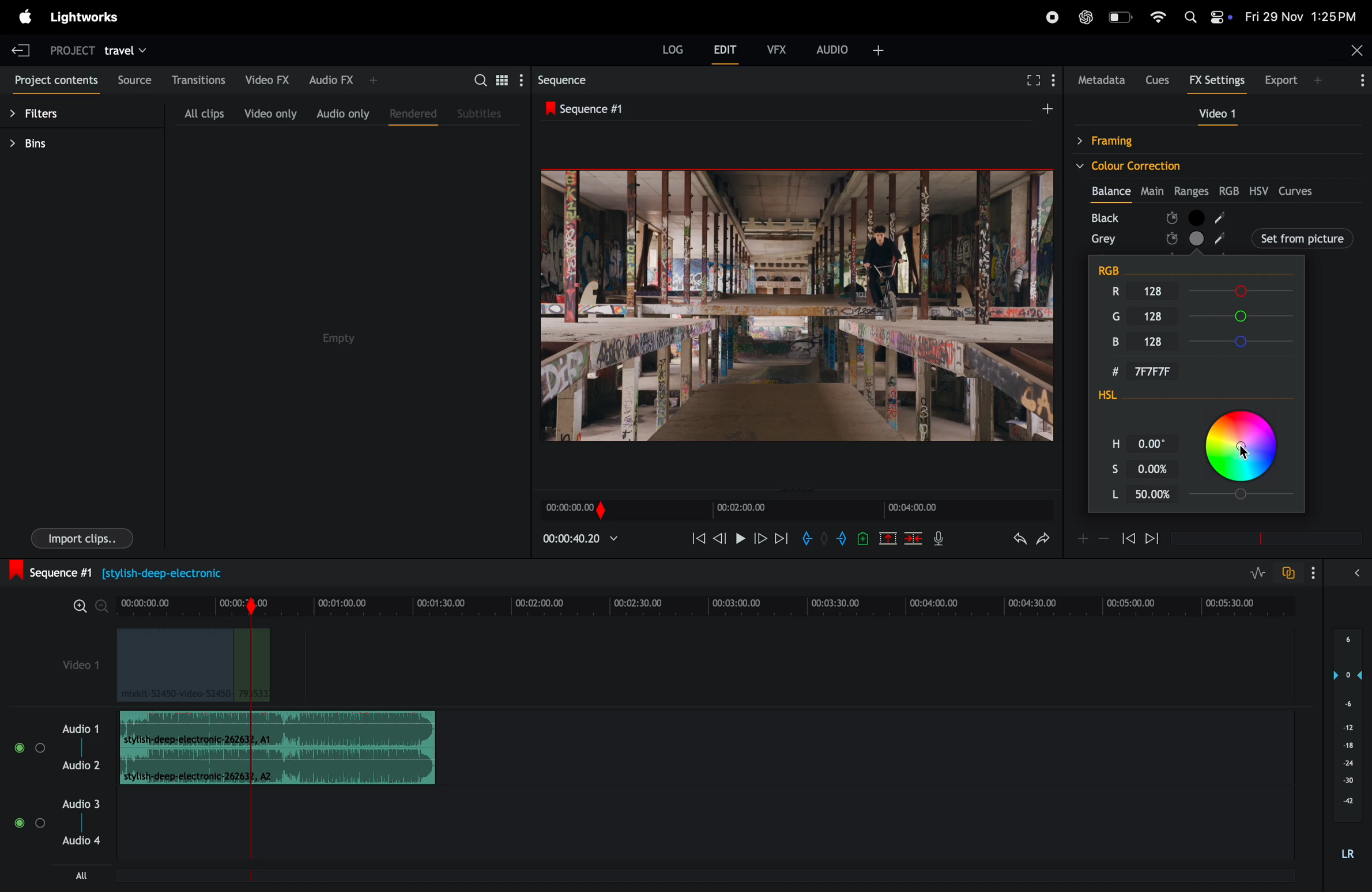 The height and width of the screenshot is (892, 1372). Describe the element at coordinates (1106, 494) in the screenshot. I see `L` at that location.